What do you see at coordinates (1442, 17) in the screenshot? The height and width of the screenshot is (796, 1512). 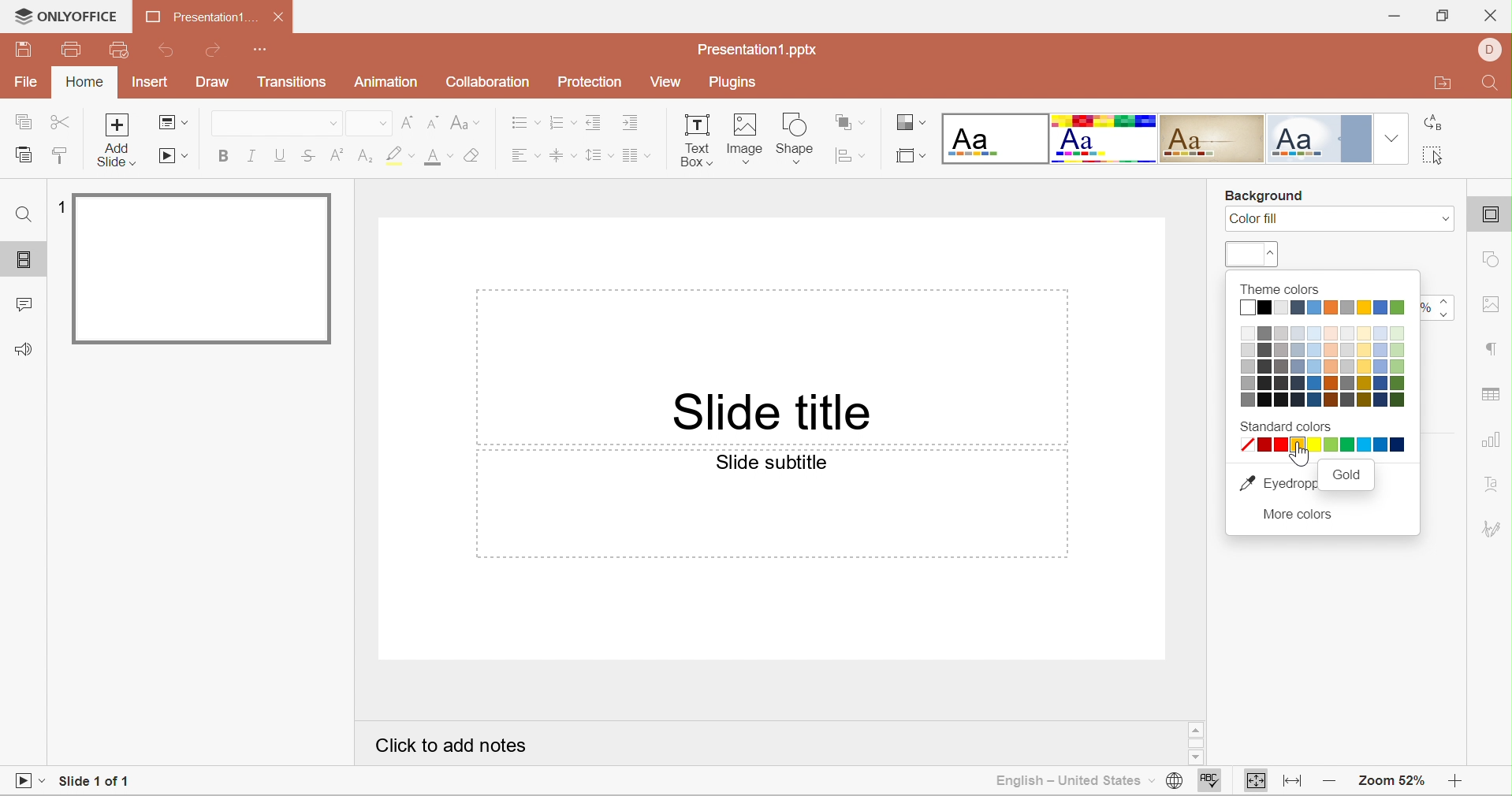 I see `Restore Down` at bounding box center [1442, 17].